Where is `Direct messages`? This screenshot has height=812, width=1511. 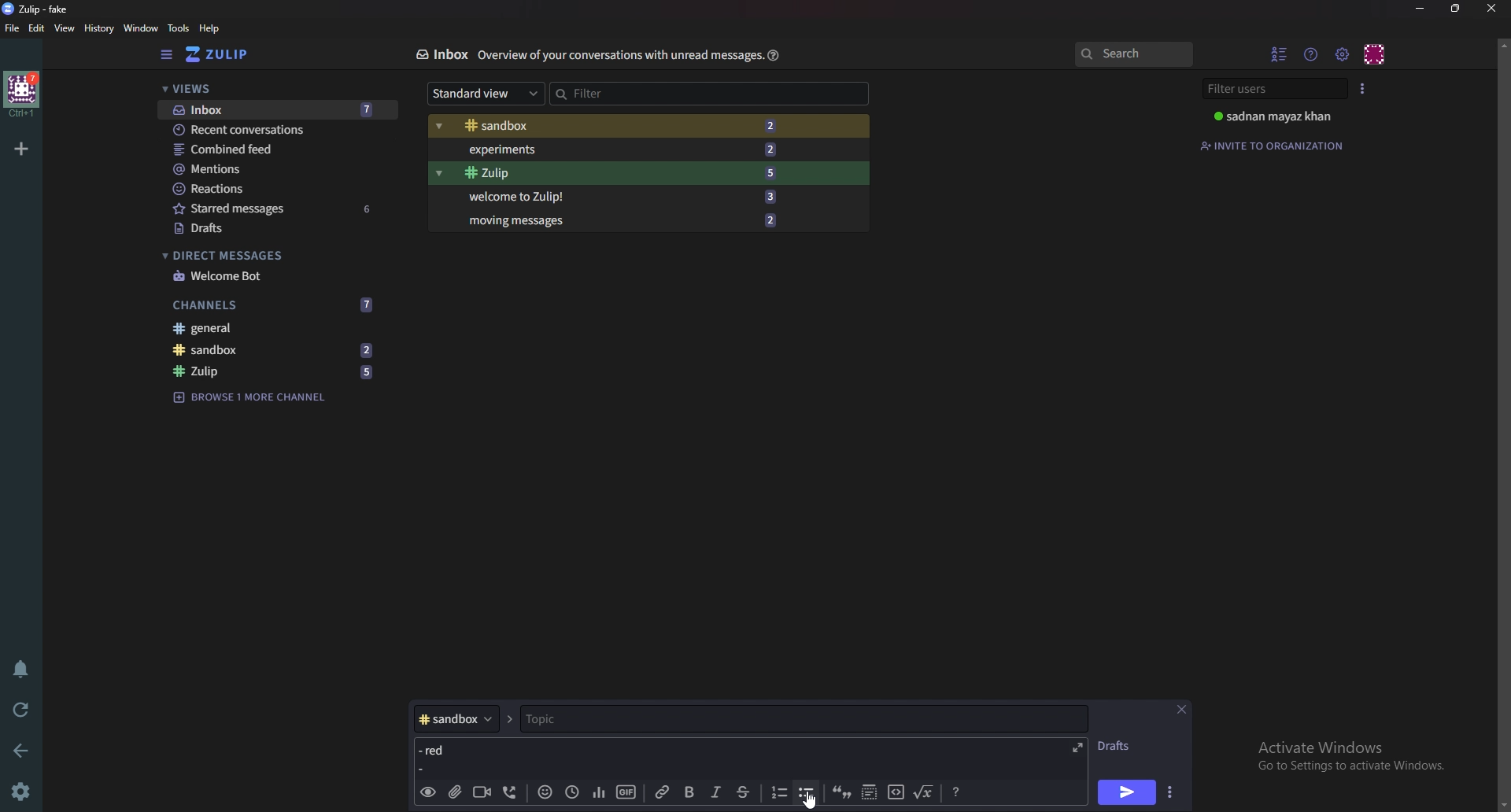 Direct messages is located at coordinates (271, 256).